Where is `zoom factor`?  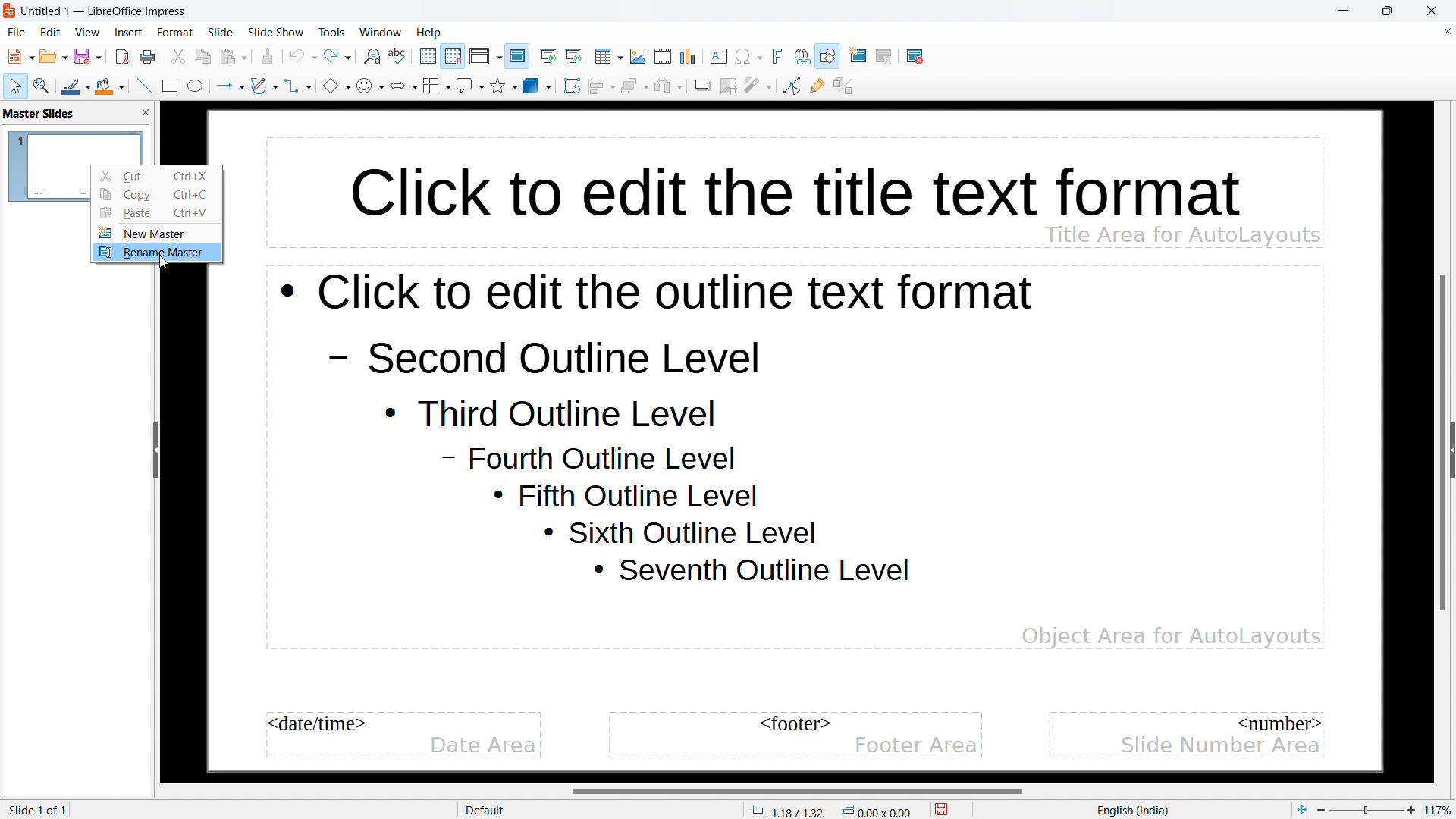 zoom factor is located at coordinates (1441, 808).